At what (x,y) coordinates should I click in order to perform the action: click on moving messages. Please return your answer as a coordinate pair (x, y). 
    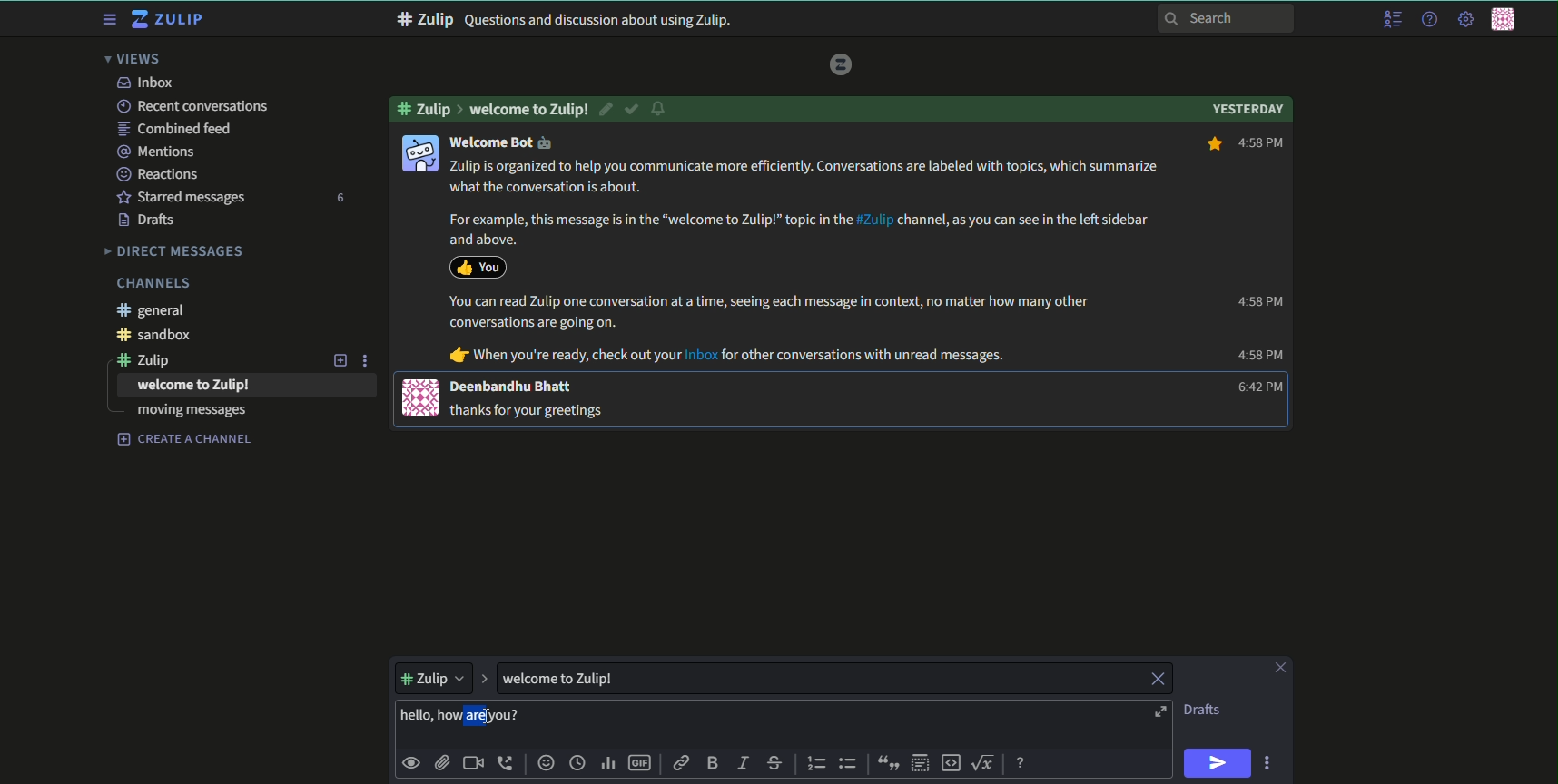
    Looking at the image, I should click on (192, 412).